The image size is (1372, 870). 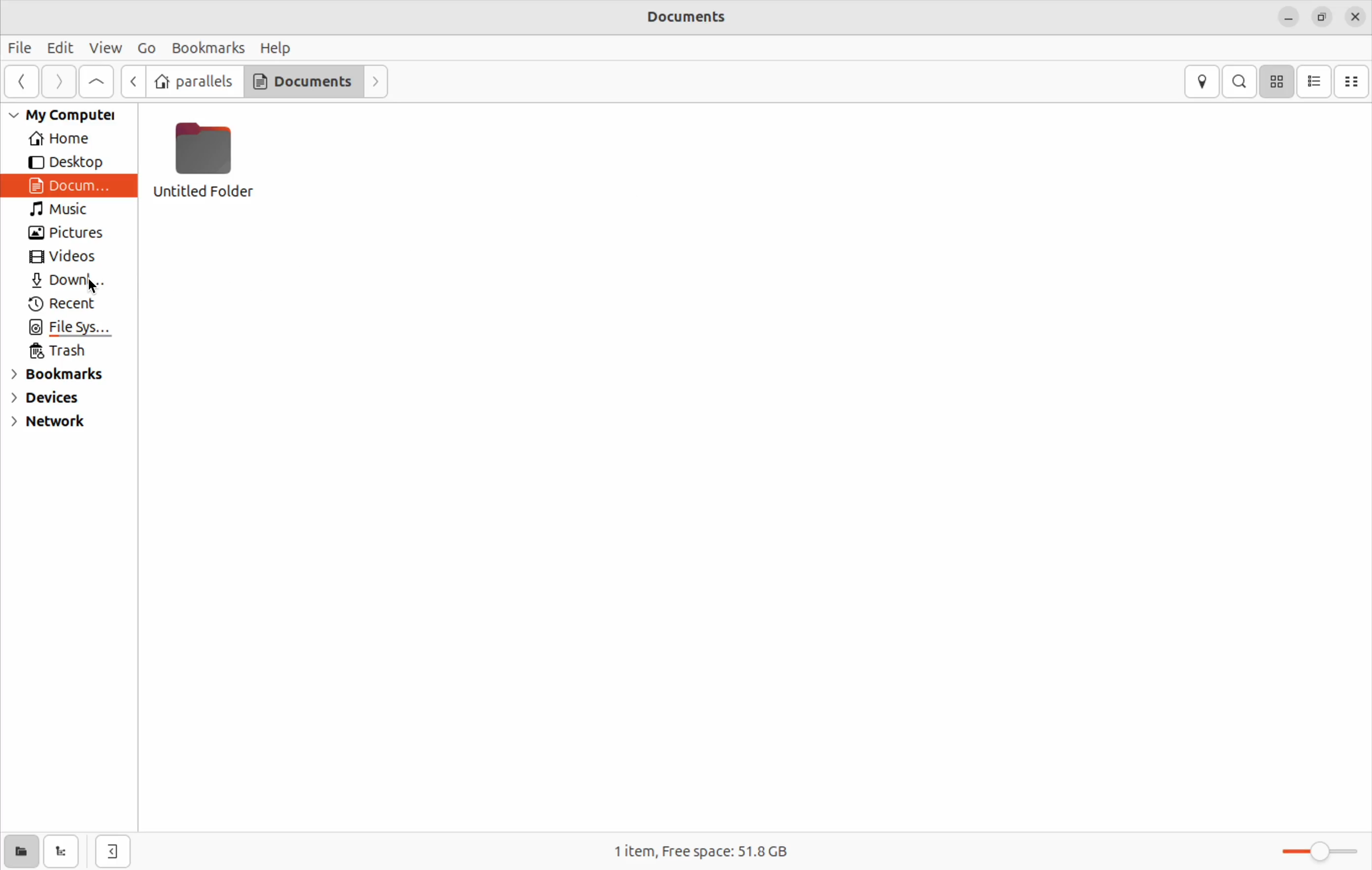 What do you see at coordinates (1278, 83) in the screenshot?
I see `icon view` at bounding box center [1278, 83].